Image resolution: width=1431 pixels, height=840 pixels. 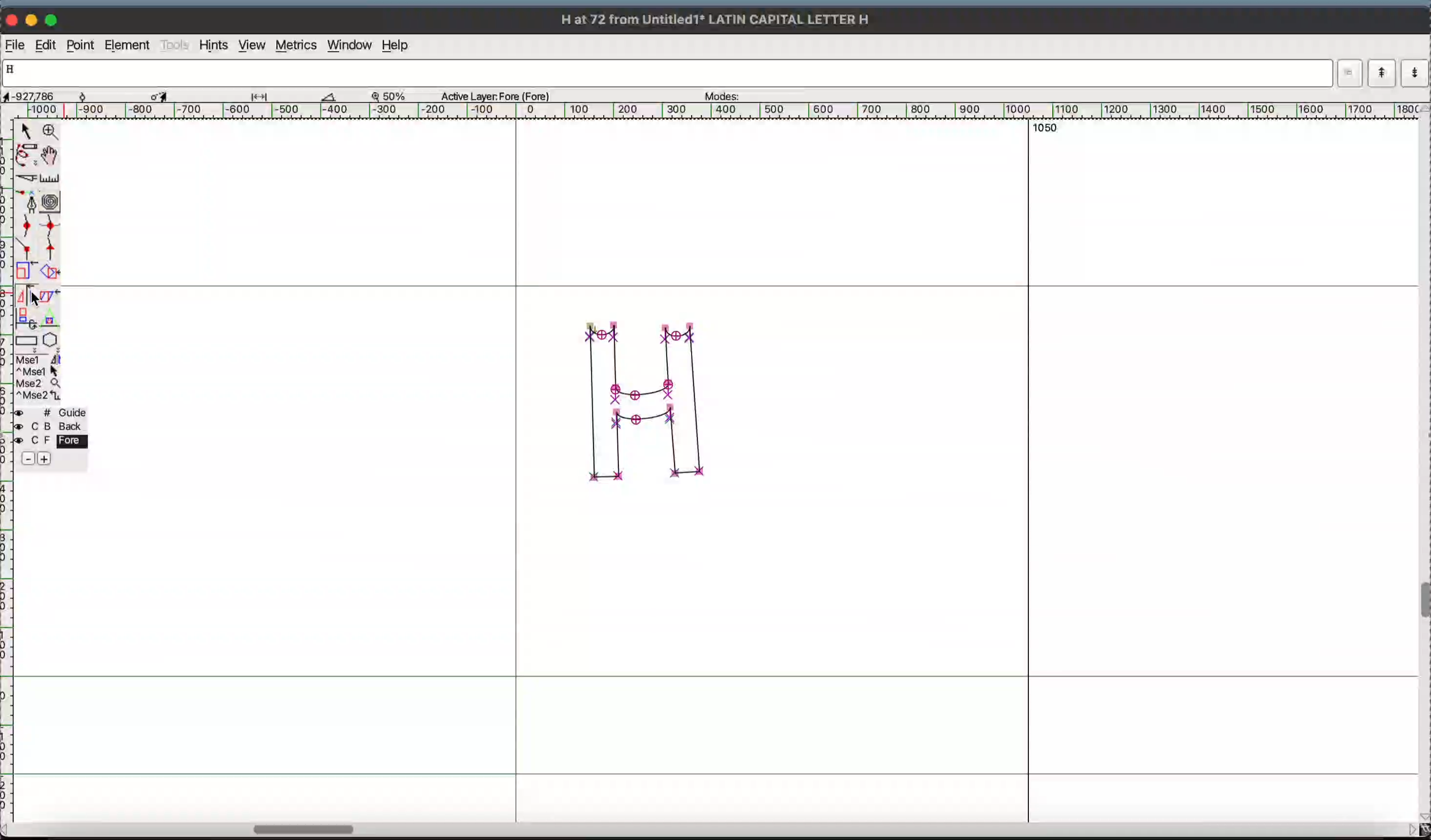 What do you see at coordinates (34, 19) in the screenshot?
I see `minimize` at bounding box center [34, 19].